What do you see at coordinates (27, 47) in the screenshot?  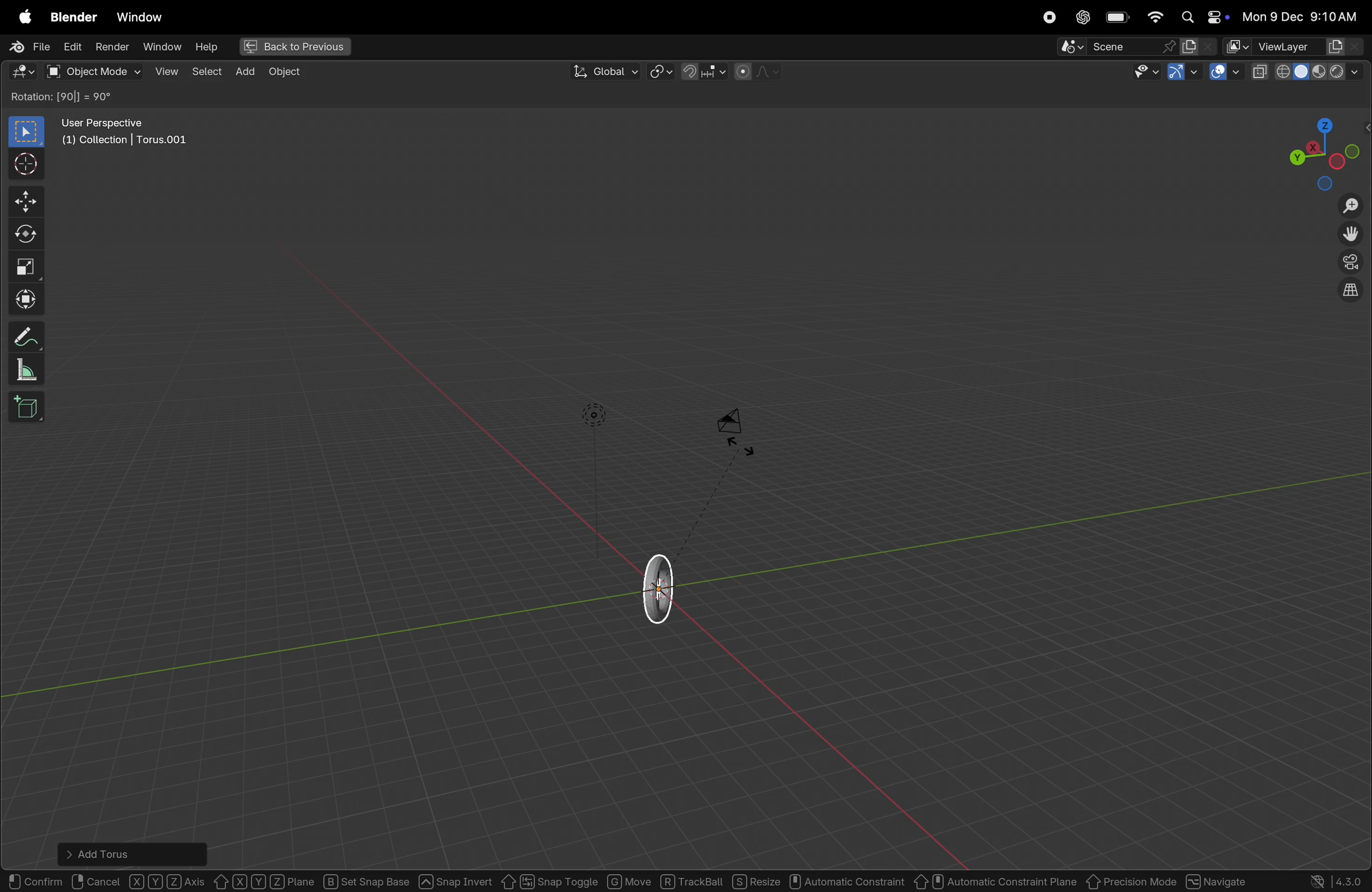 I see `file` at bounding box center [27, 47].